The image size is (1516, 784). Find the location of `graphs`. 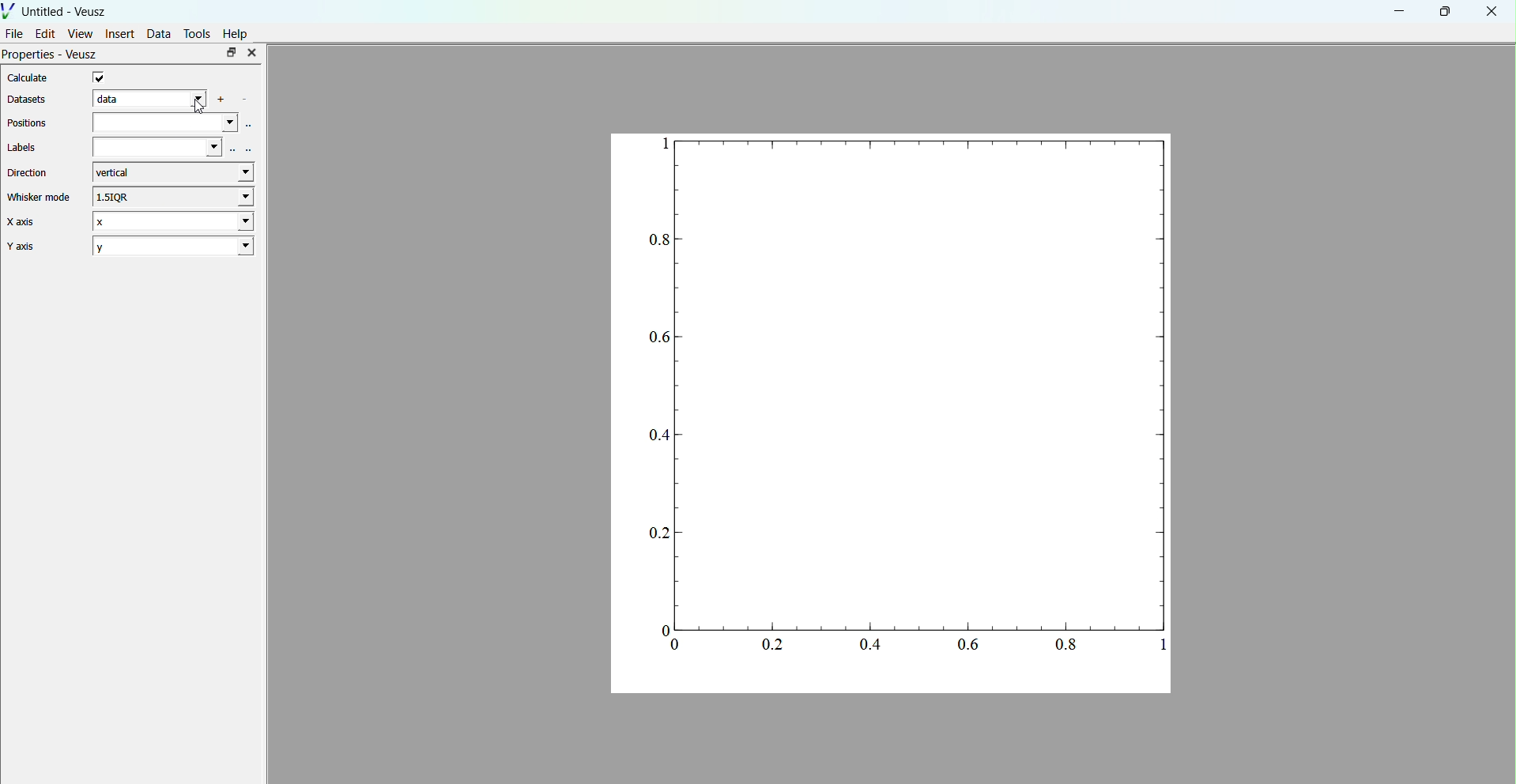

graphs is located at coordinates (893, 412).